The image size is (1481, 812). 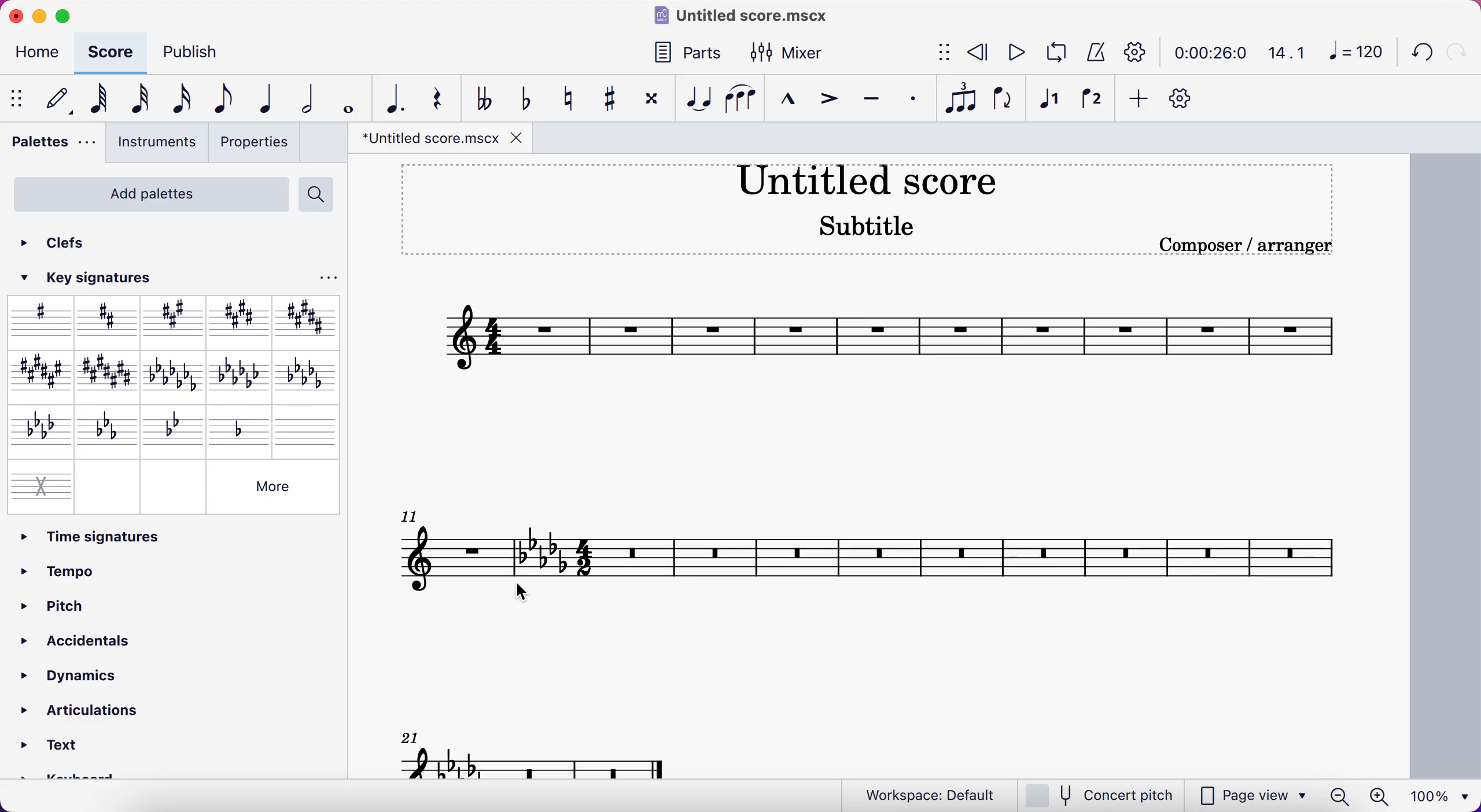 What do you see at coordinates (107, 320) in the screenshot?
I see `D major` at bounding box center [107, 320].